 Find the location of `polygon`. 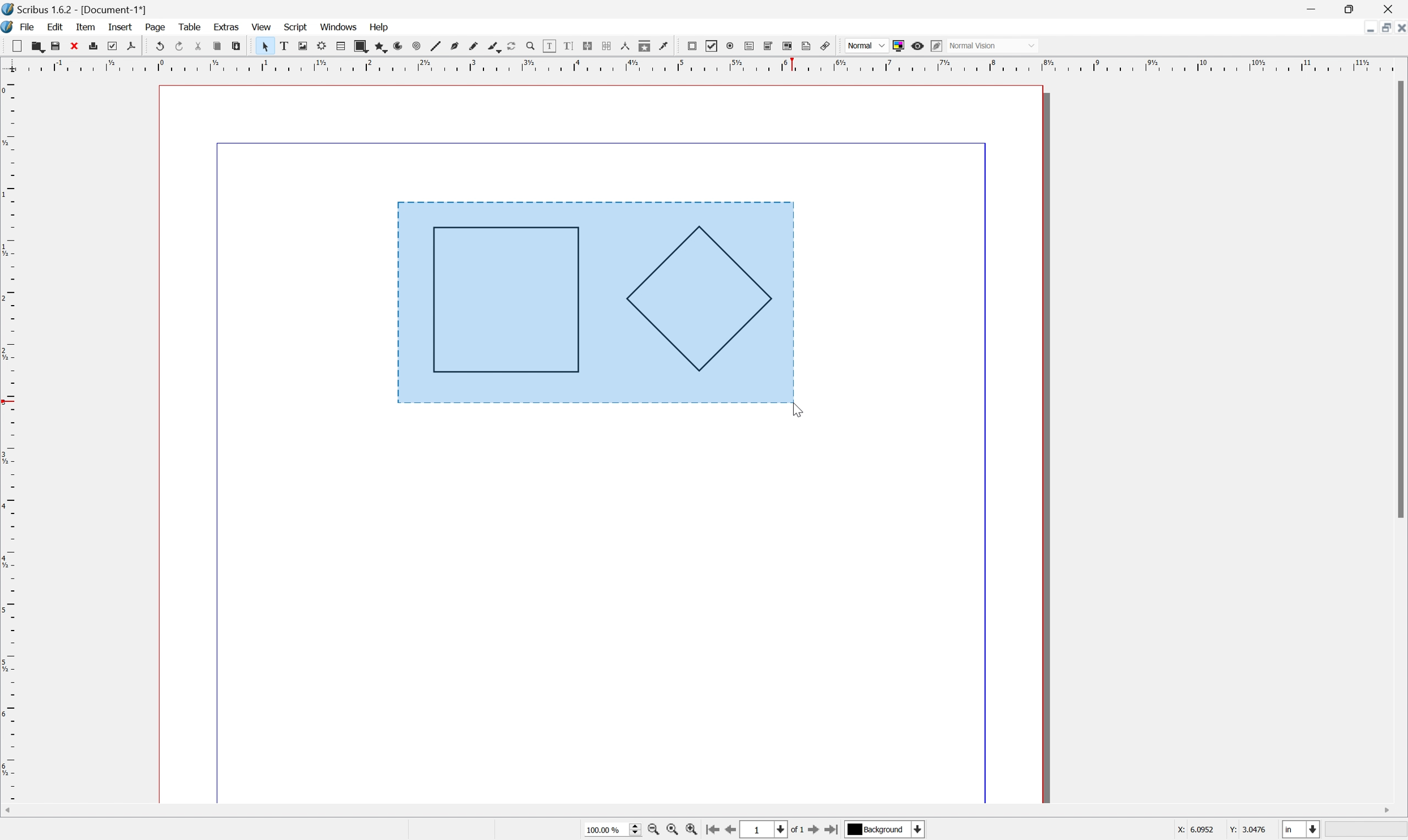

polygon is located at coordinates (376, 46).